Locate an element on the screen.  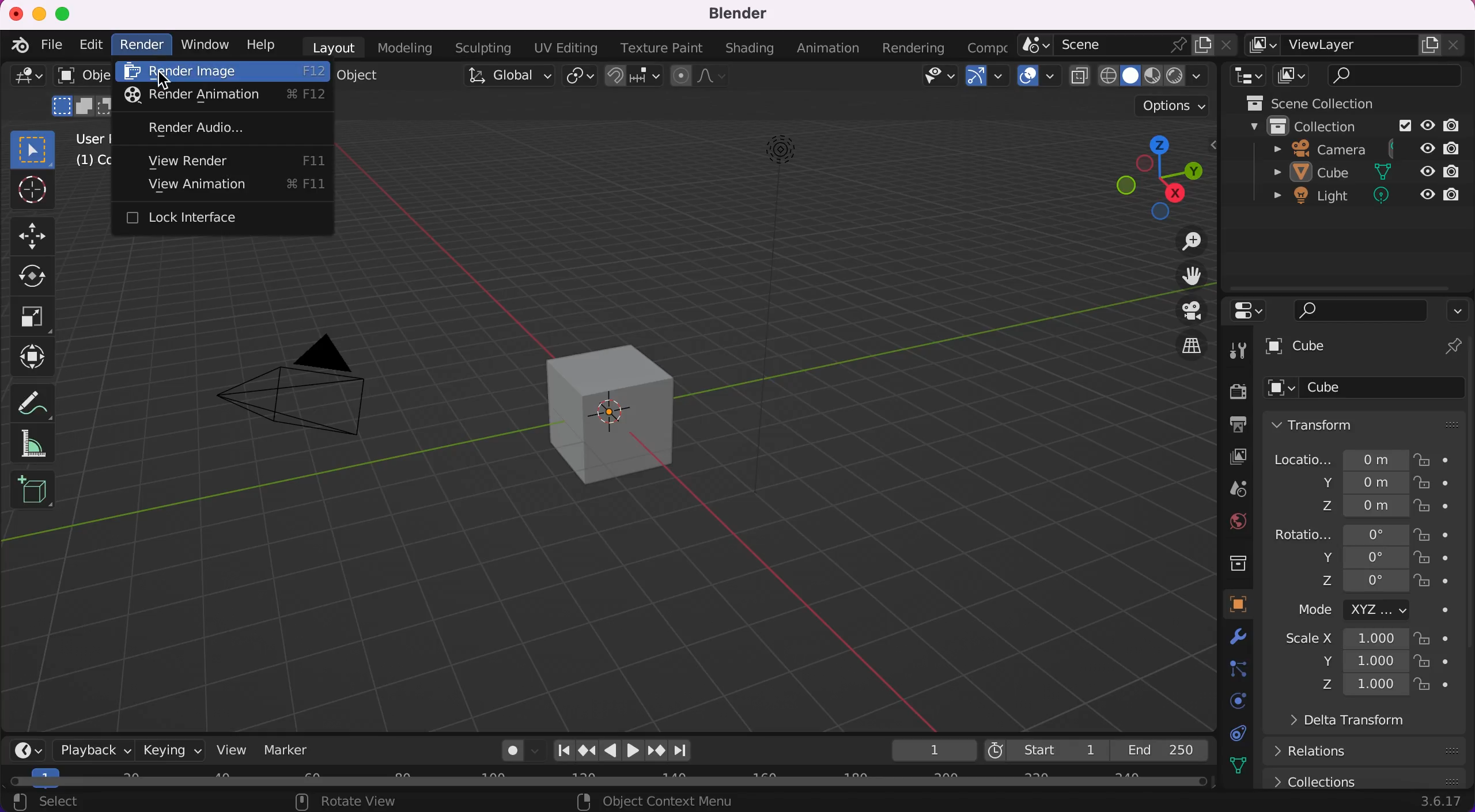
cube is located at coordinates (612, 407).